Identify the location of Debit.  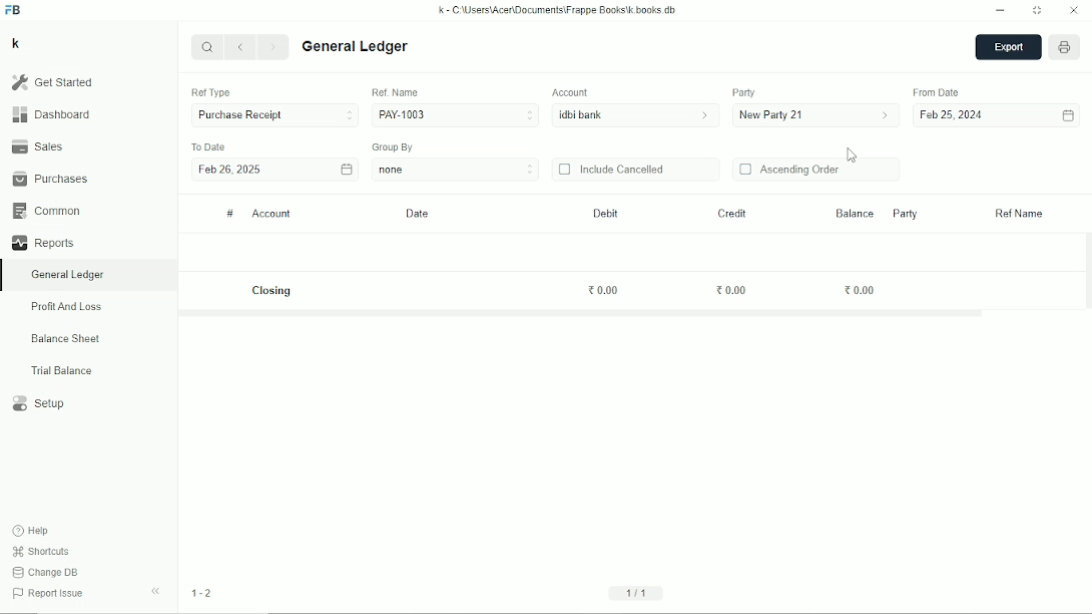
(606, 213).